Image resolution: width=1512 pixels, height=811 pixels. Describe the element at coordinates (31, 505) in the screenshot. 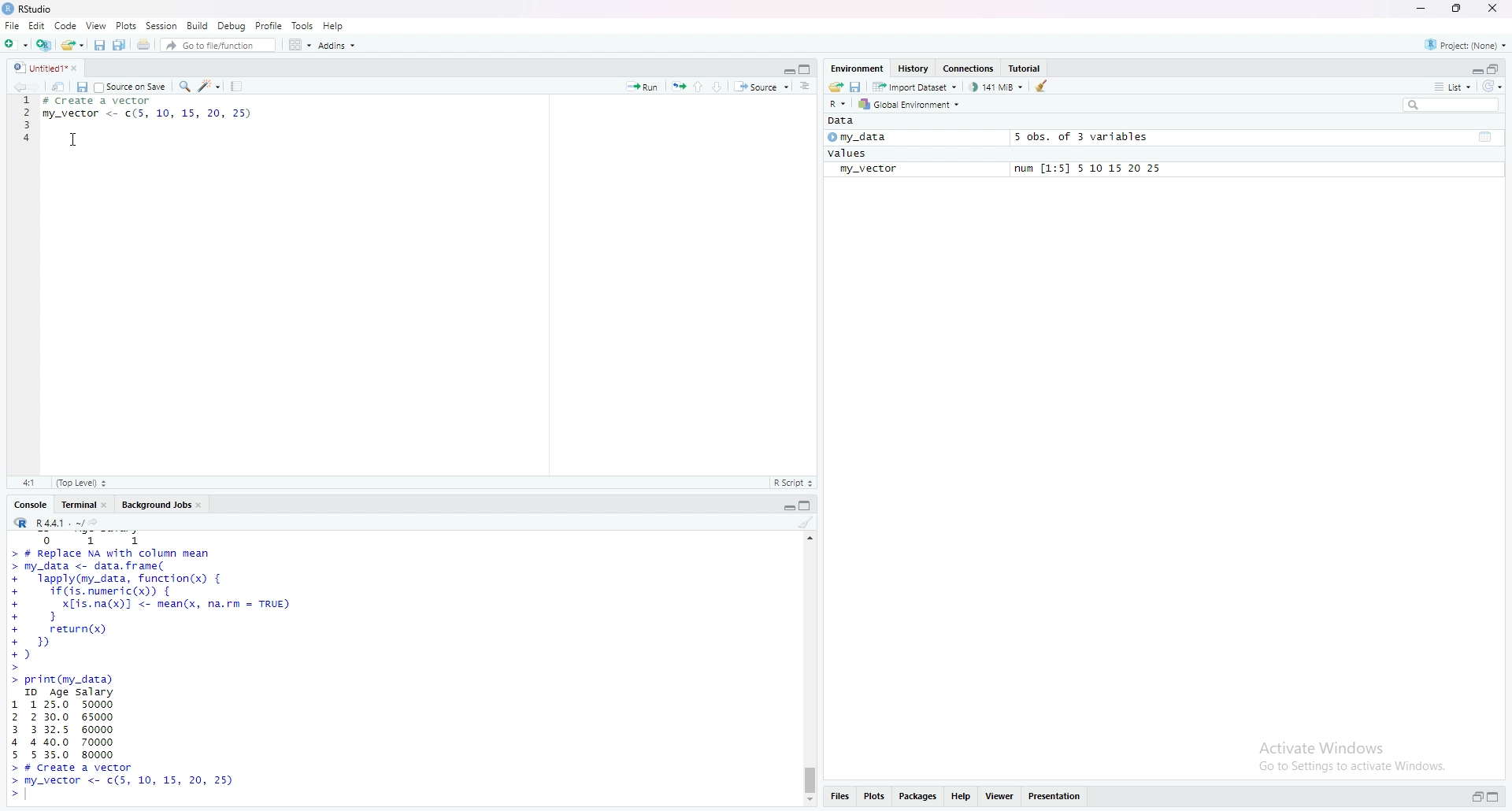

I see `console` at that location.